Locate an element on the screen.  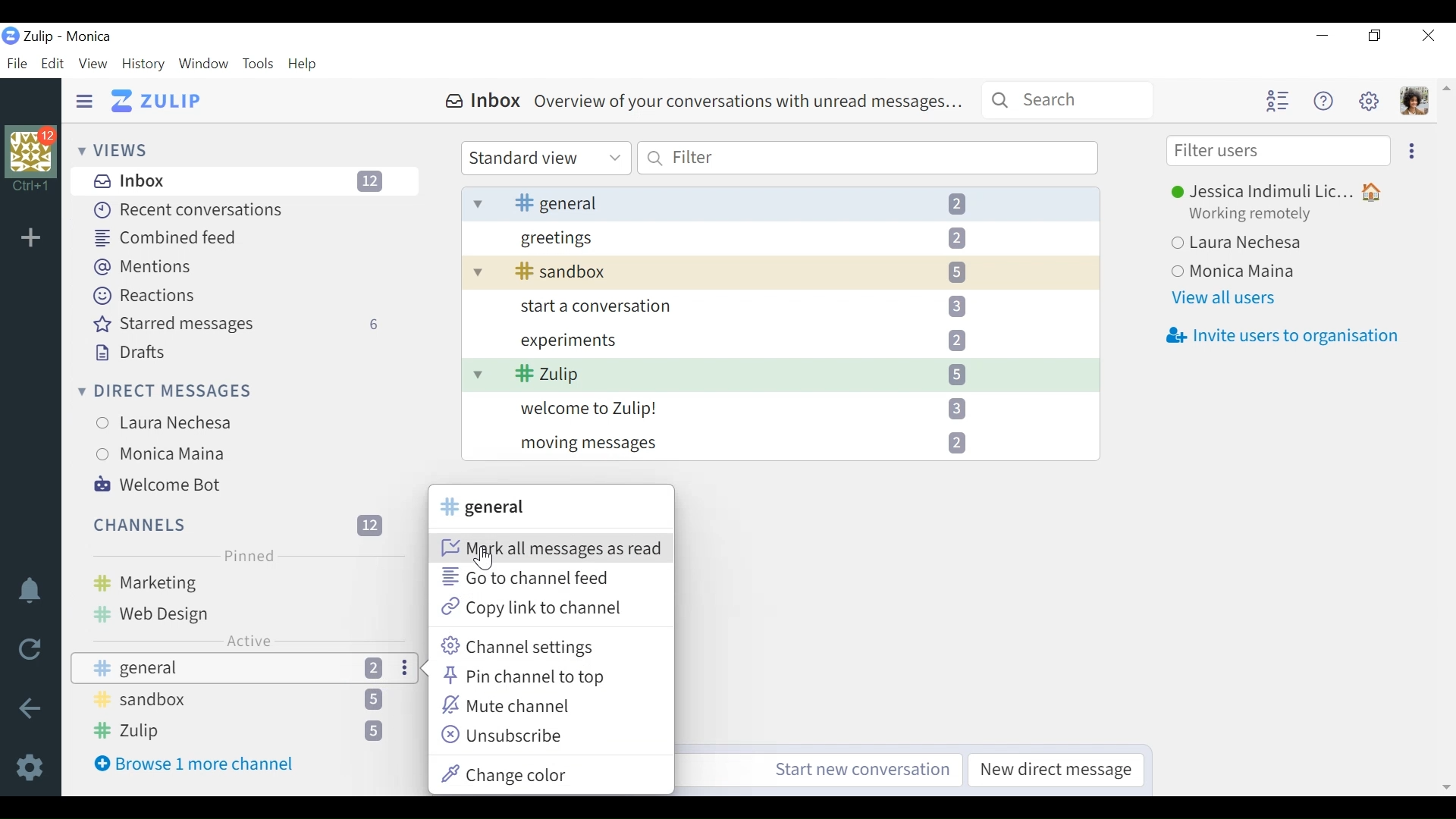
Direct Messages is located at coordinates (166, 393).